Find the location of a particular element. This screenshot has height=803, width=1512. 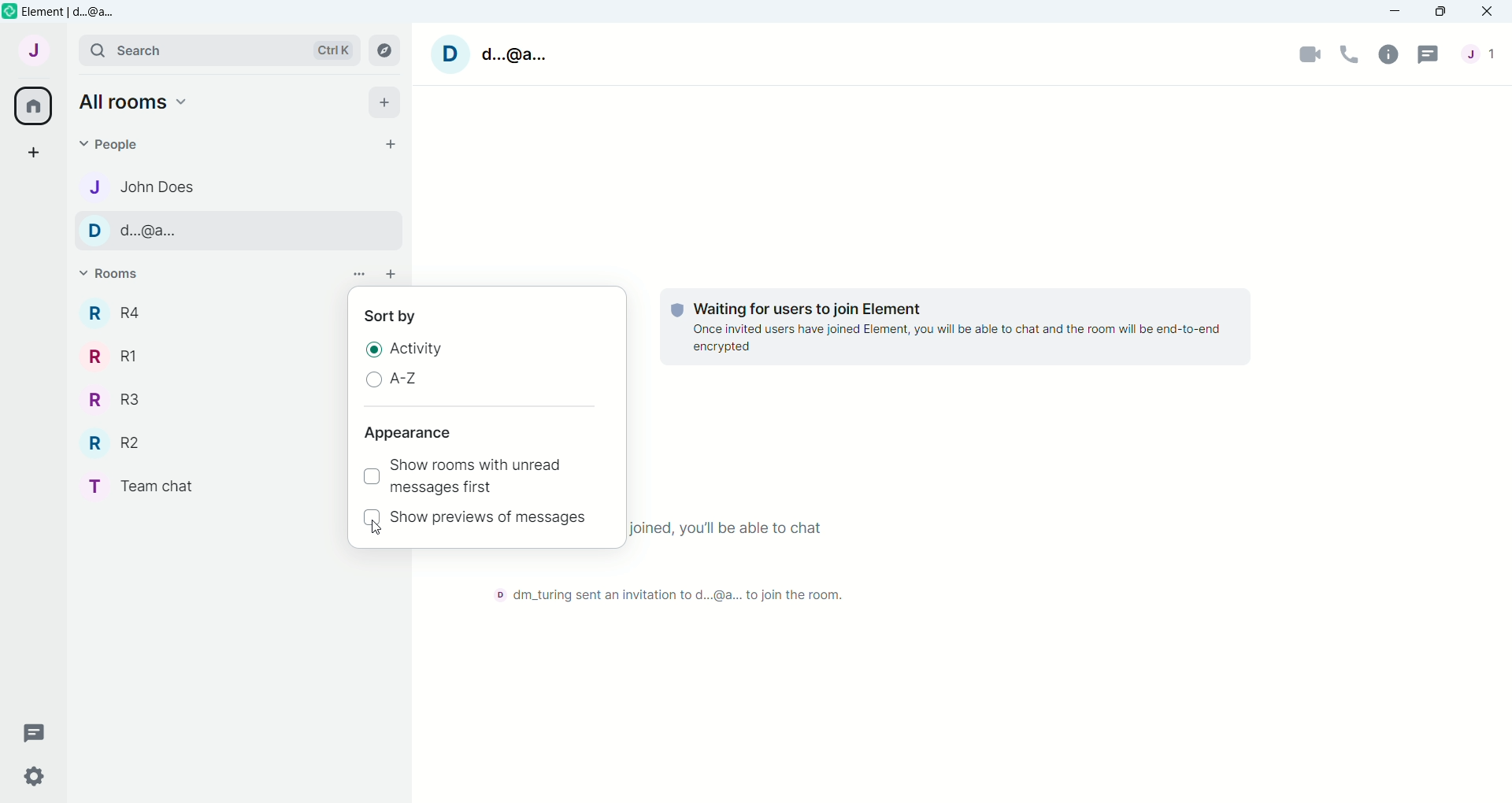

Rooms is located at coordinates (121, 273).